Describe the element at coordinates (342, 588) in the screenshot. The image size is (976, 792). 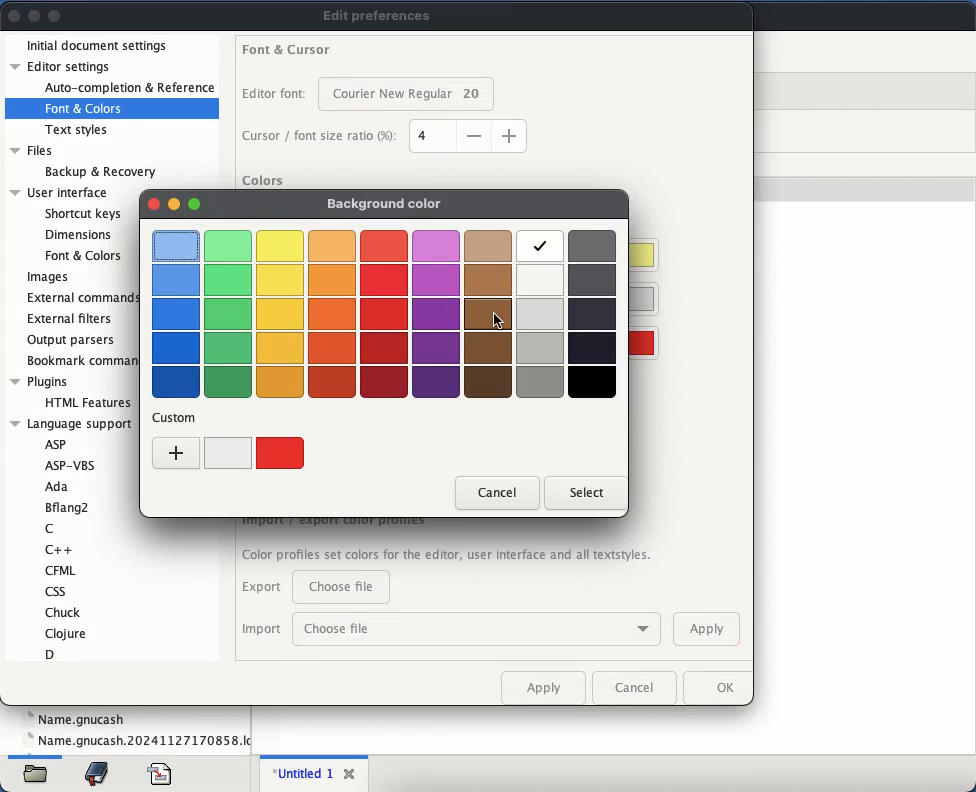
I see `choose file` at that location.